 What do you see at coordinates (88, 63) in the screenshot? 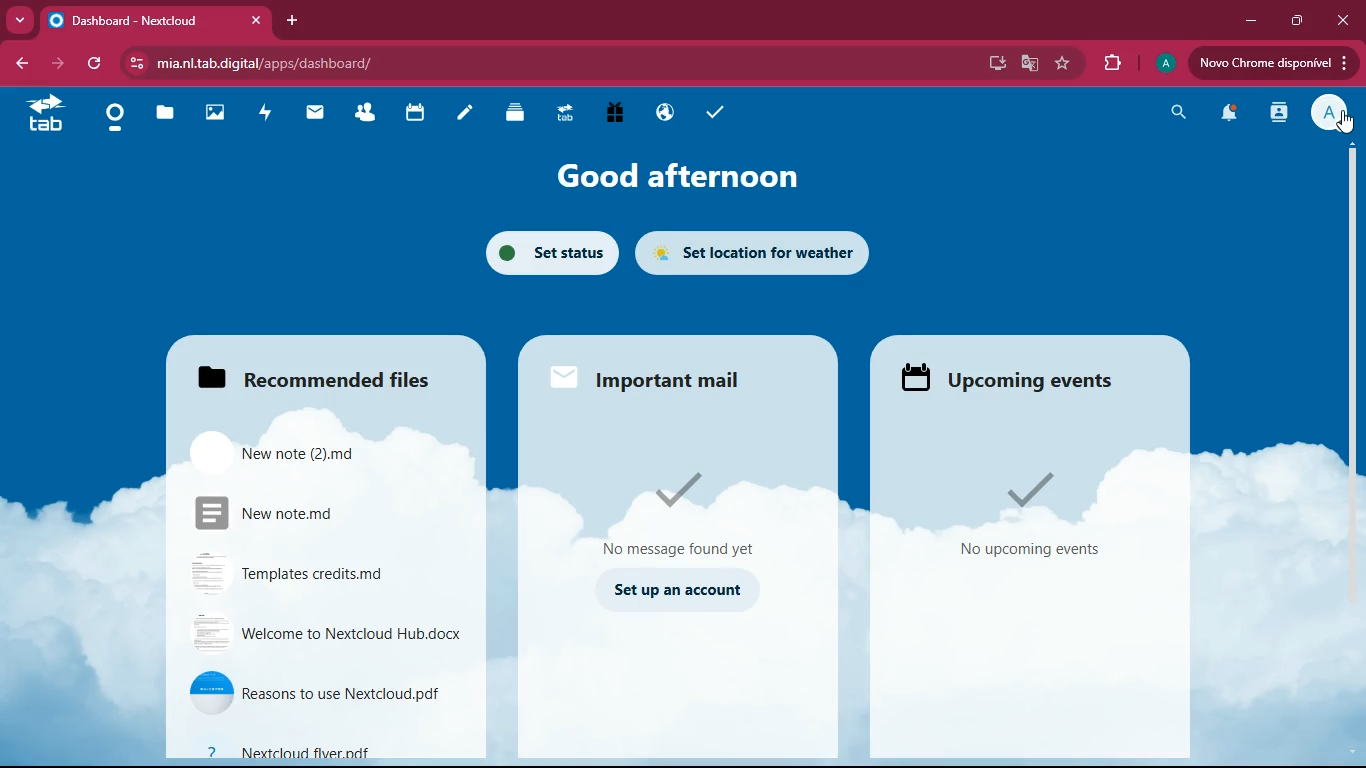
I see `refresh` at bounding box center [88, 63].